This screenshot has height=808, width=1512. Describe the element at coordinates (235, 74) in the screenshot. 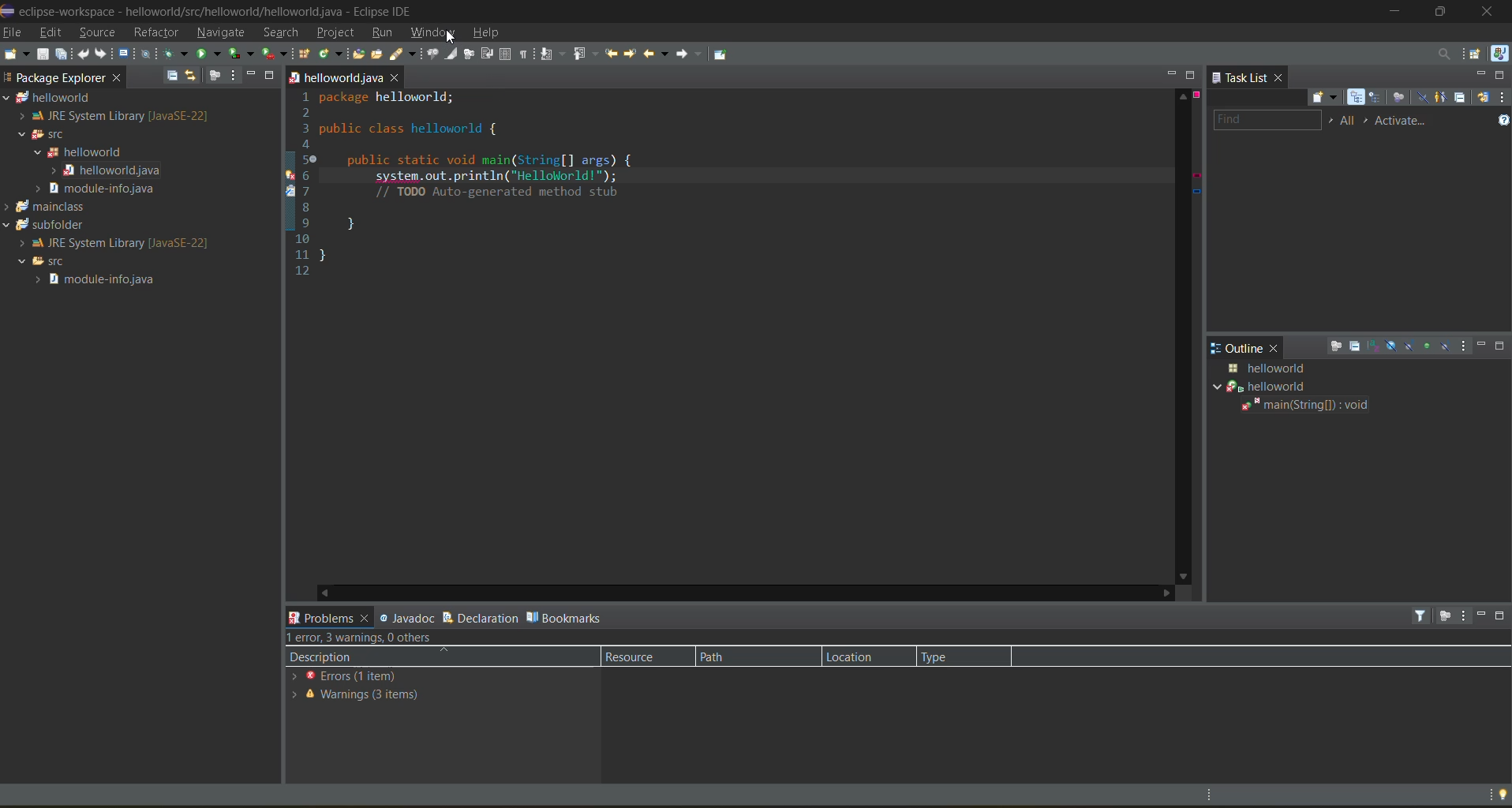

I see `view menu` at that location.